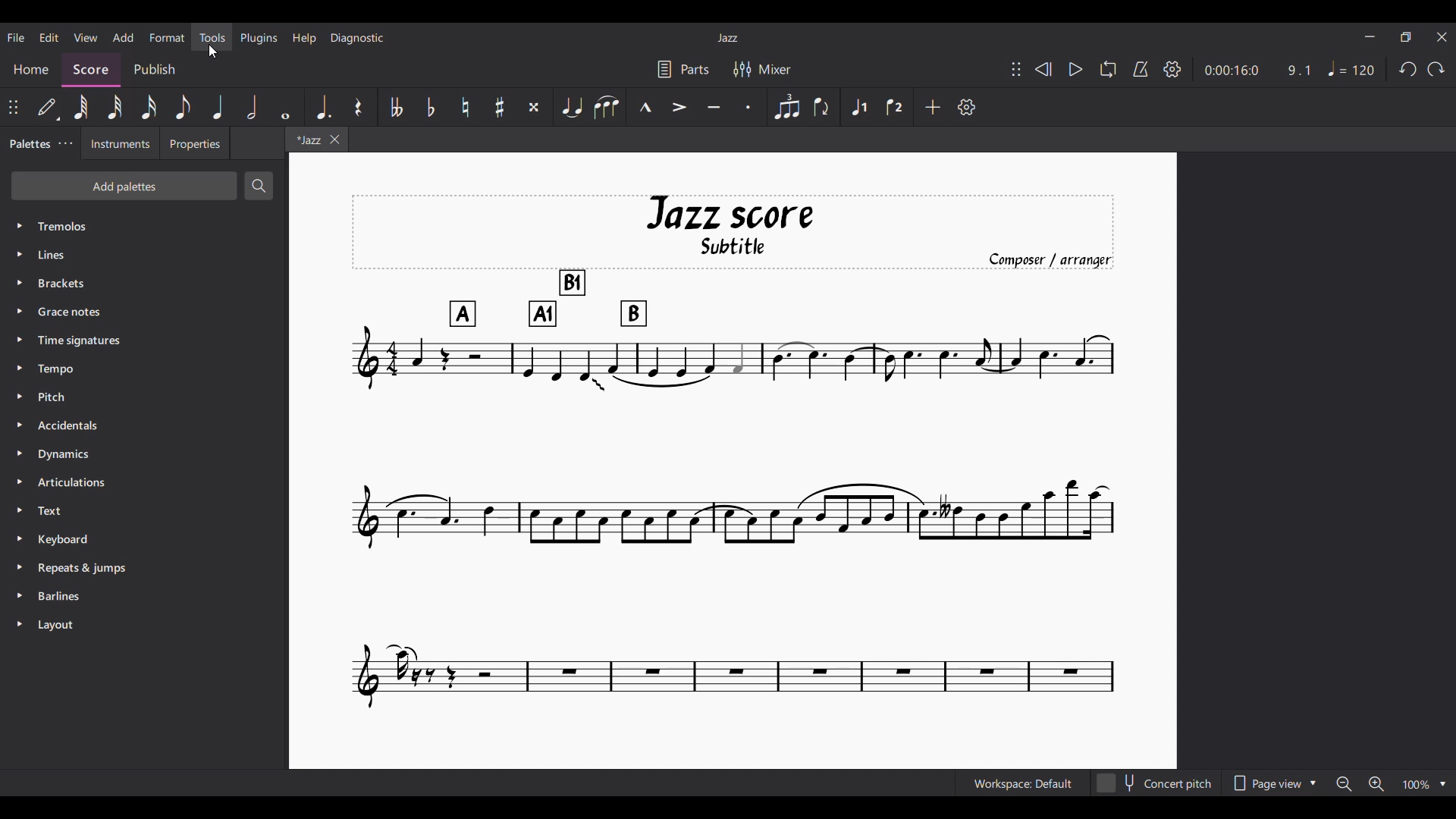  What do you see at coordinates (143, 454) in the screenshot?
I see `Dynamics` at bounding box center [143, 454].